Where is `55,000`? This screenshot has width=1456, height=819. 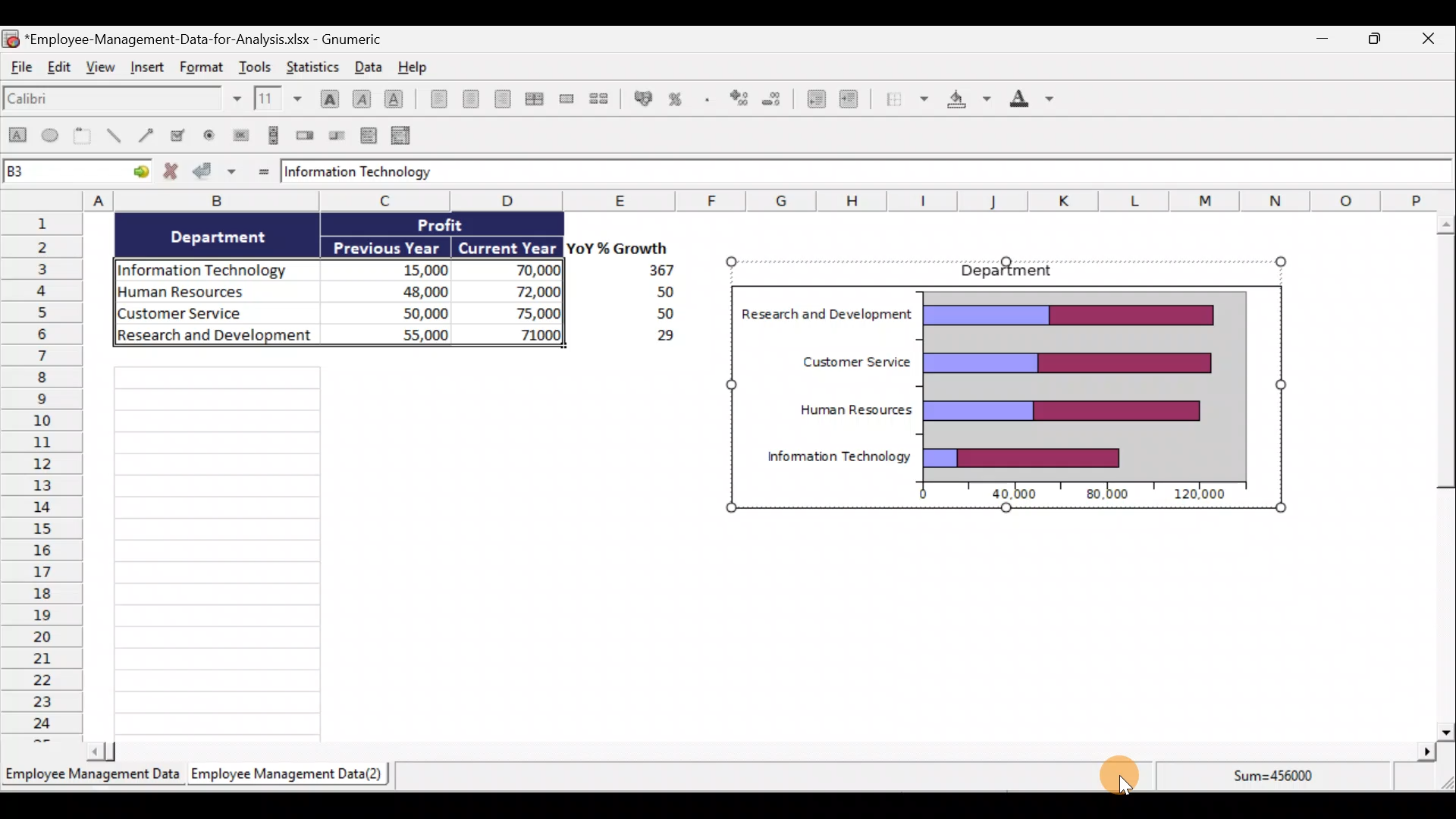 55,000 is located at coordinates (406, 334).